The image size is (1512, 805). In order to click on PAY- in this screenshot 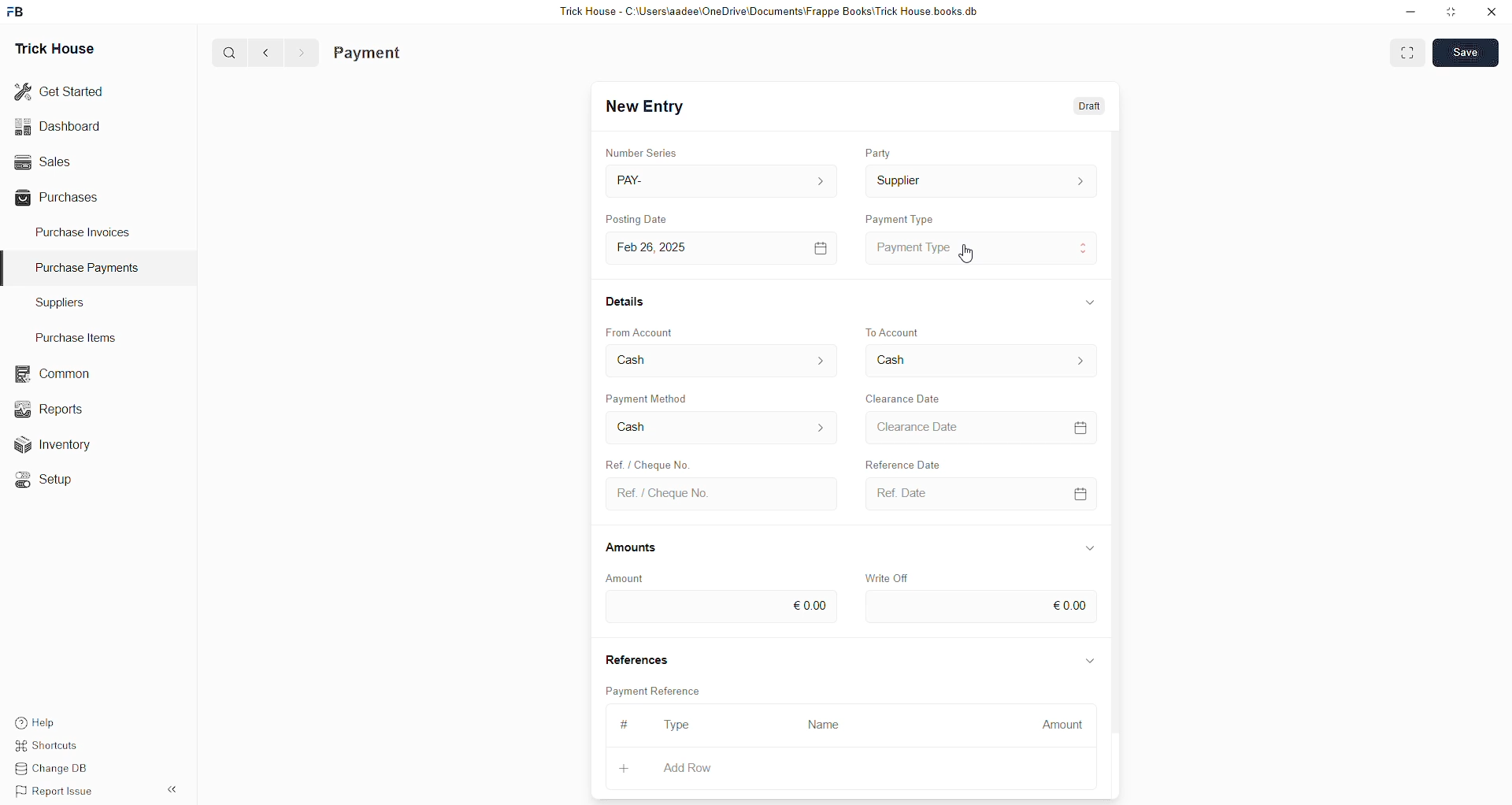, I will do `click(720, 179)`.